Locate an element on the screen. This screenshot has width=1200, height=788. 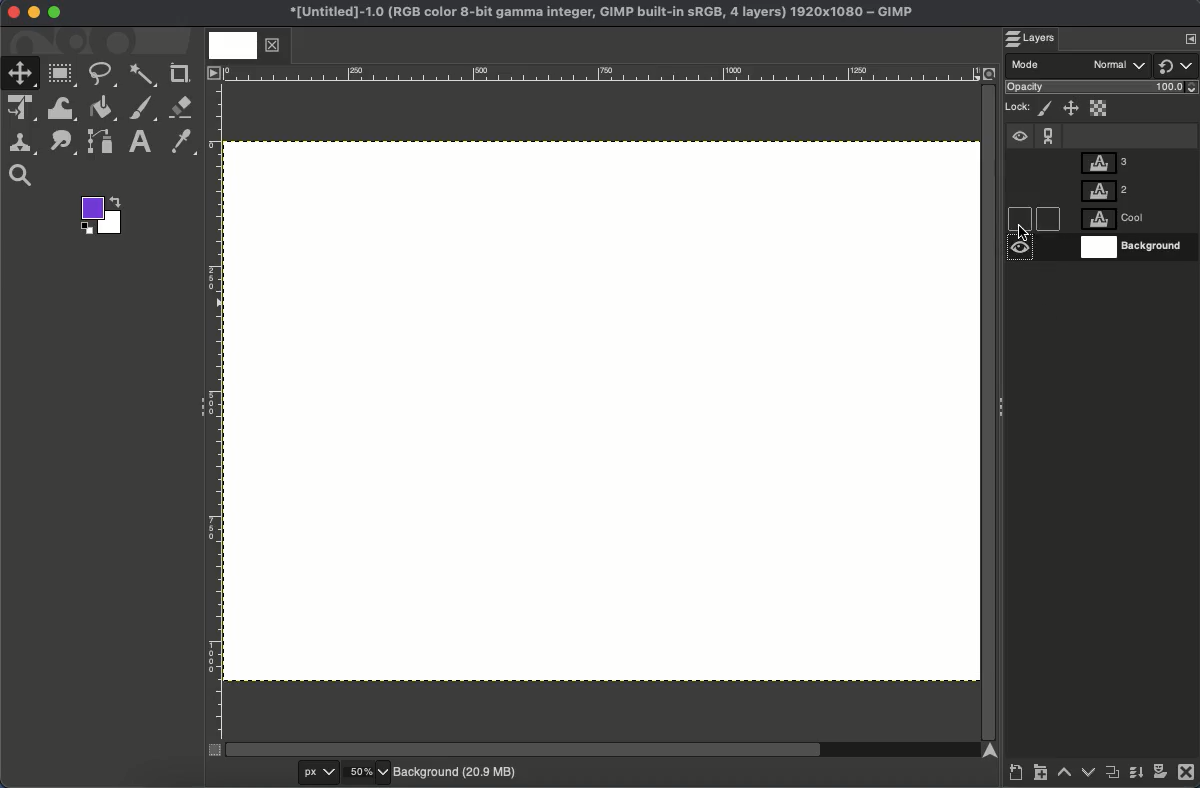
Position and size is located at coordinates (1072, 110).